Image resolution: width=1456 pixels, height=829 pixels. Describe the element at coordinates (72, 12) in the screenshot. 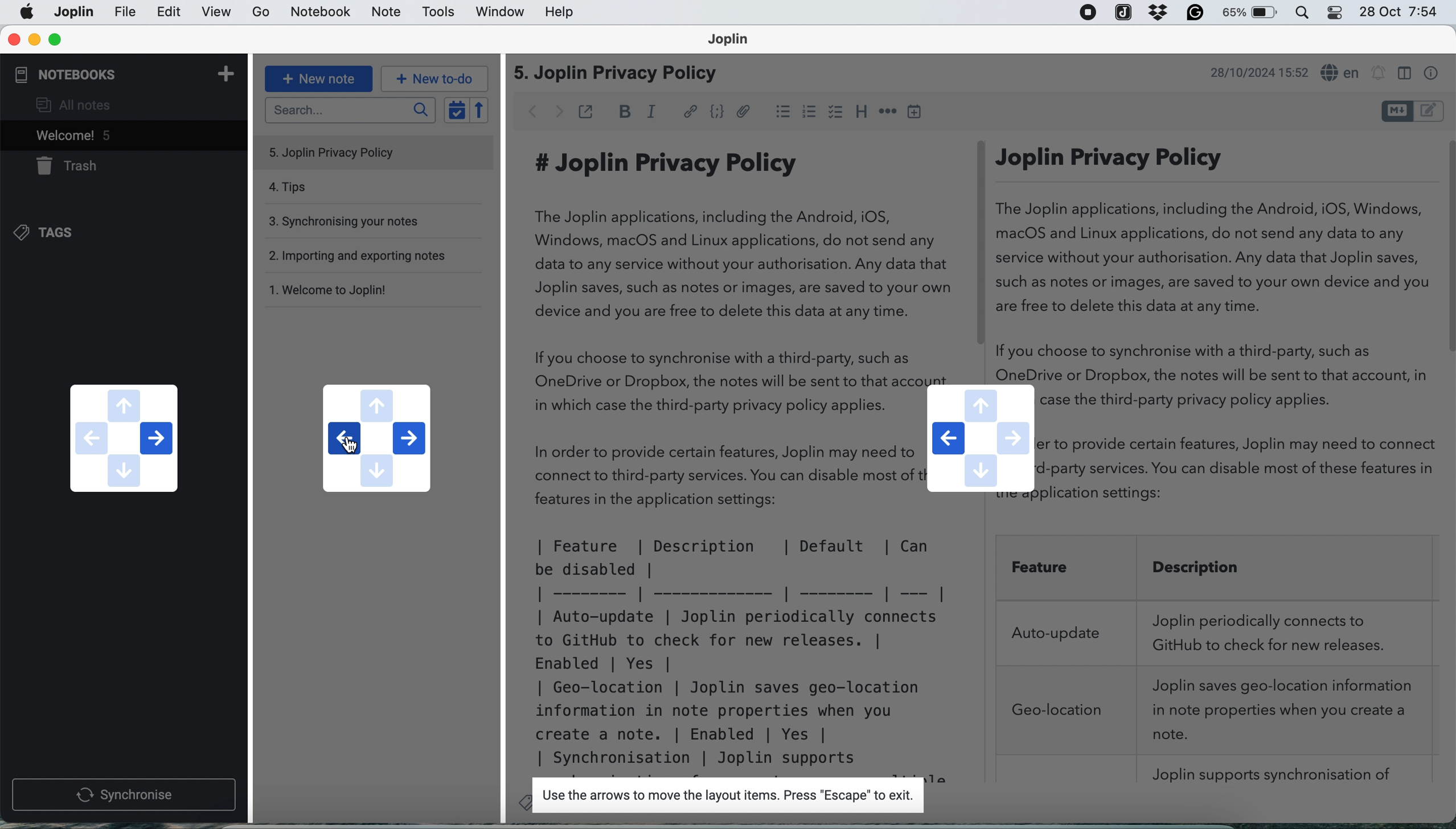

I see `file` at that location.